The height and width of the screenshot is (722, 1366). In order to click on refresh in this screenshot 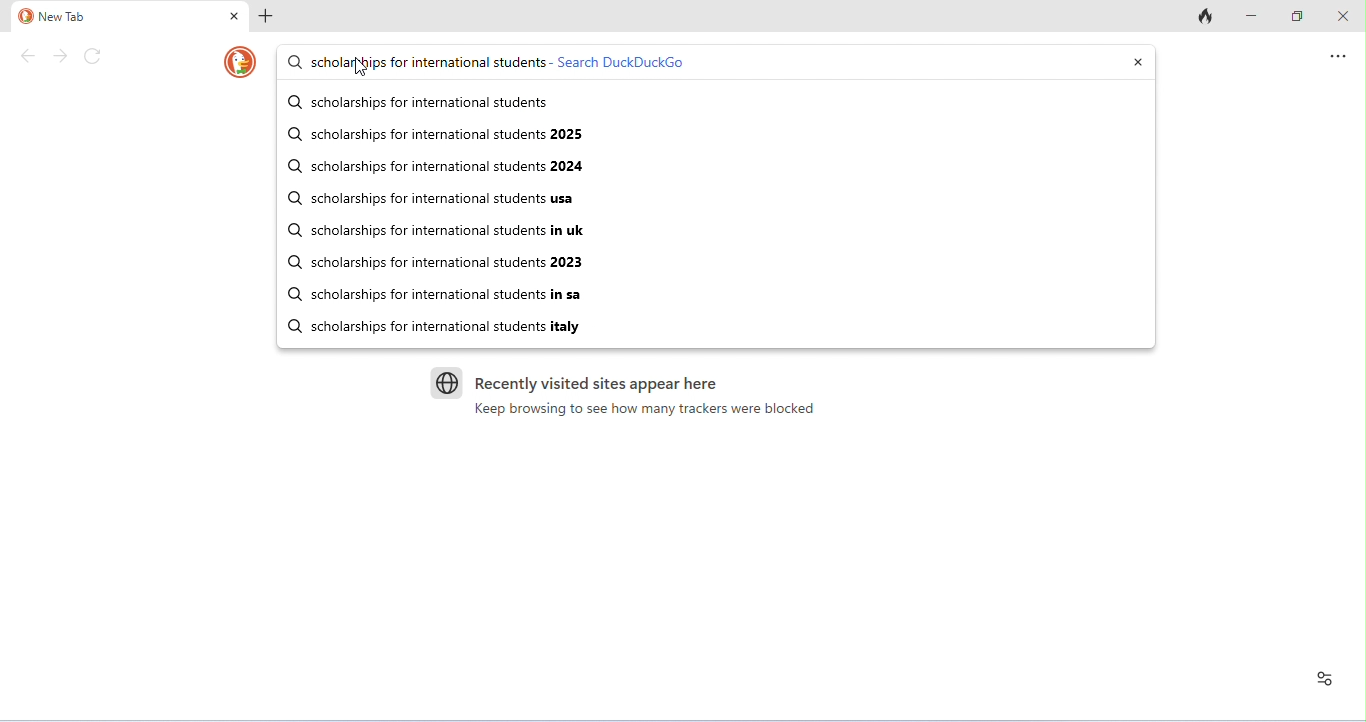, I will do `click(94, 56)`.